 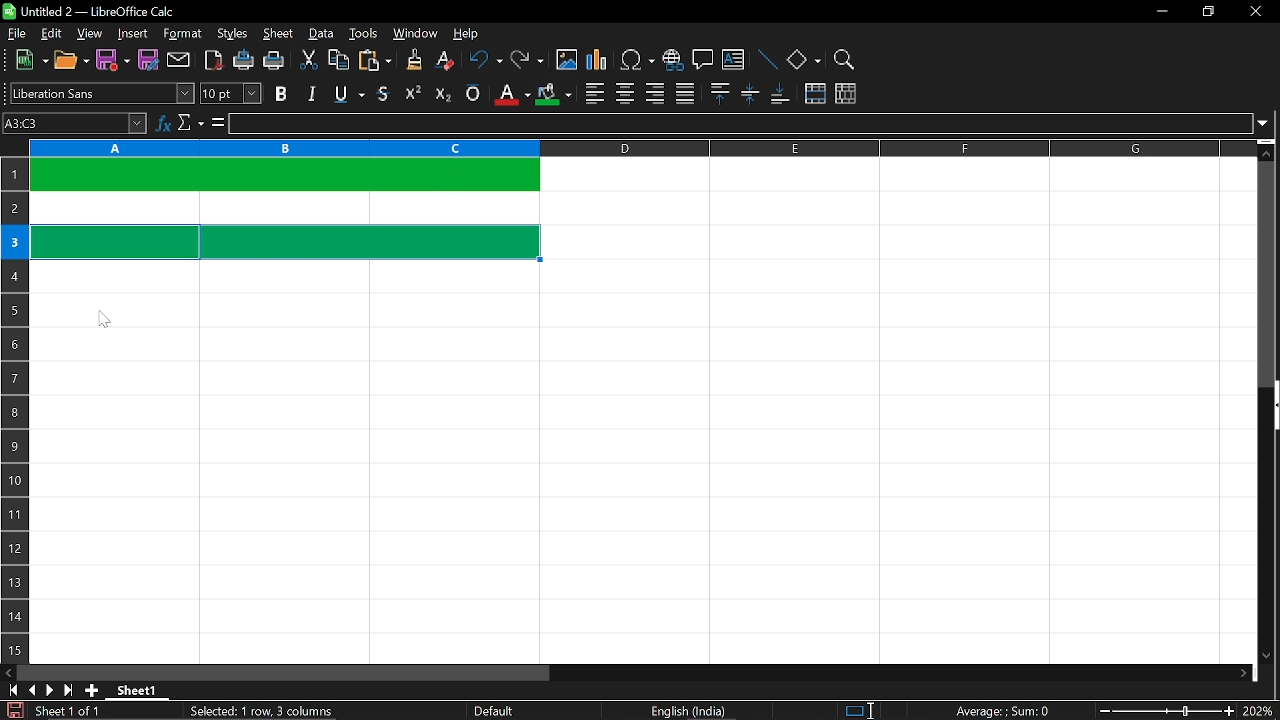 I want to click on go to first page, so click(x=10, y=691).